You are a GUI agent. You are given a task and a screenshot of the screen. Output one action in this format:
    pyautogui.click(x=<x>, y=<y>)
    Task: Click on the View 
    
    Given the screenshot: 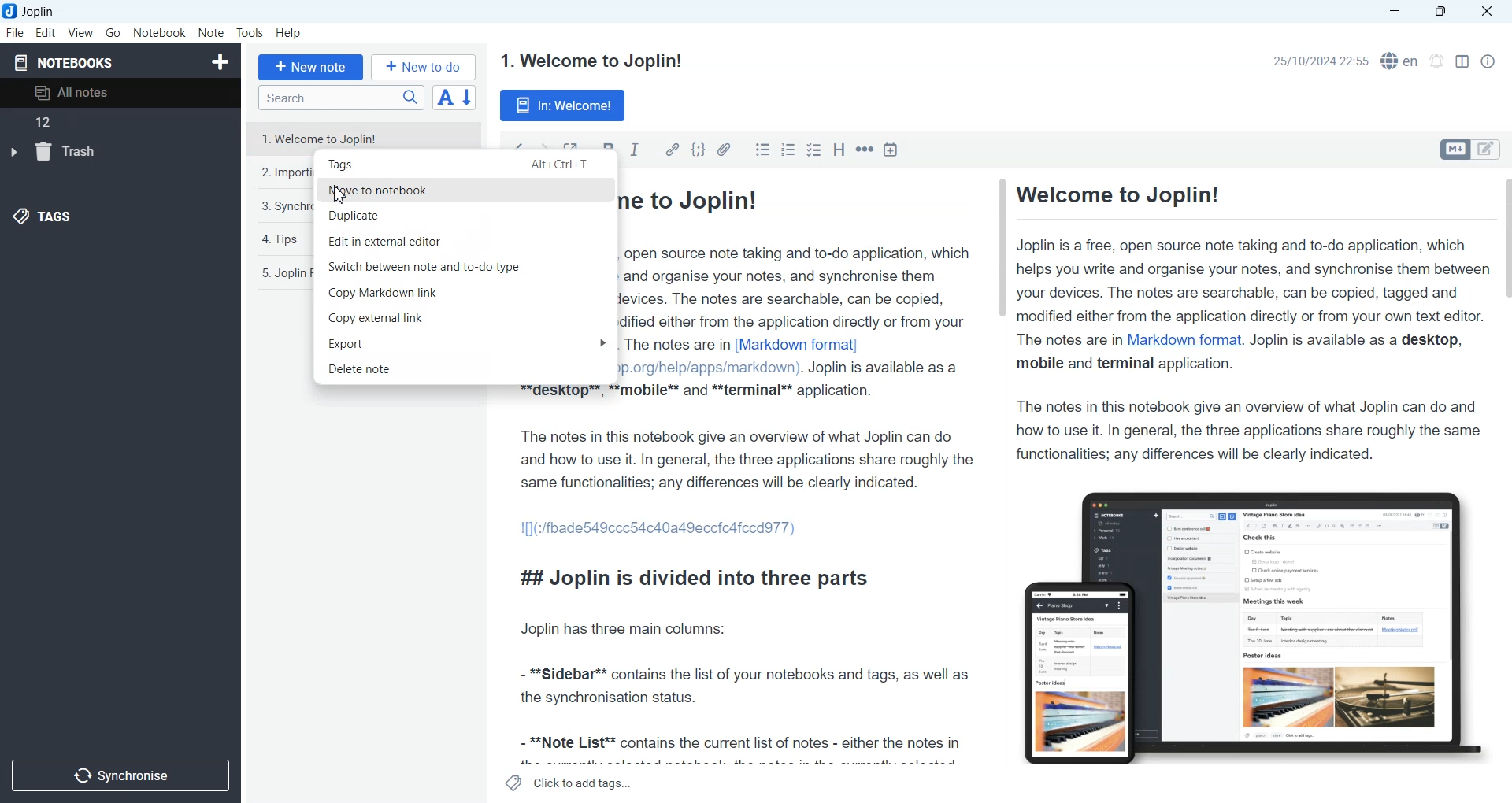 What is the action you would take?
    pyautogui.click(x=80, y=32)
    